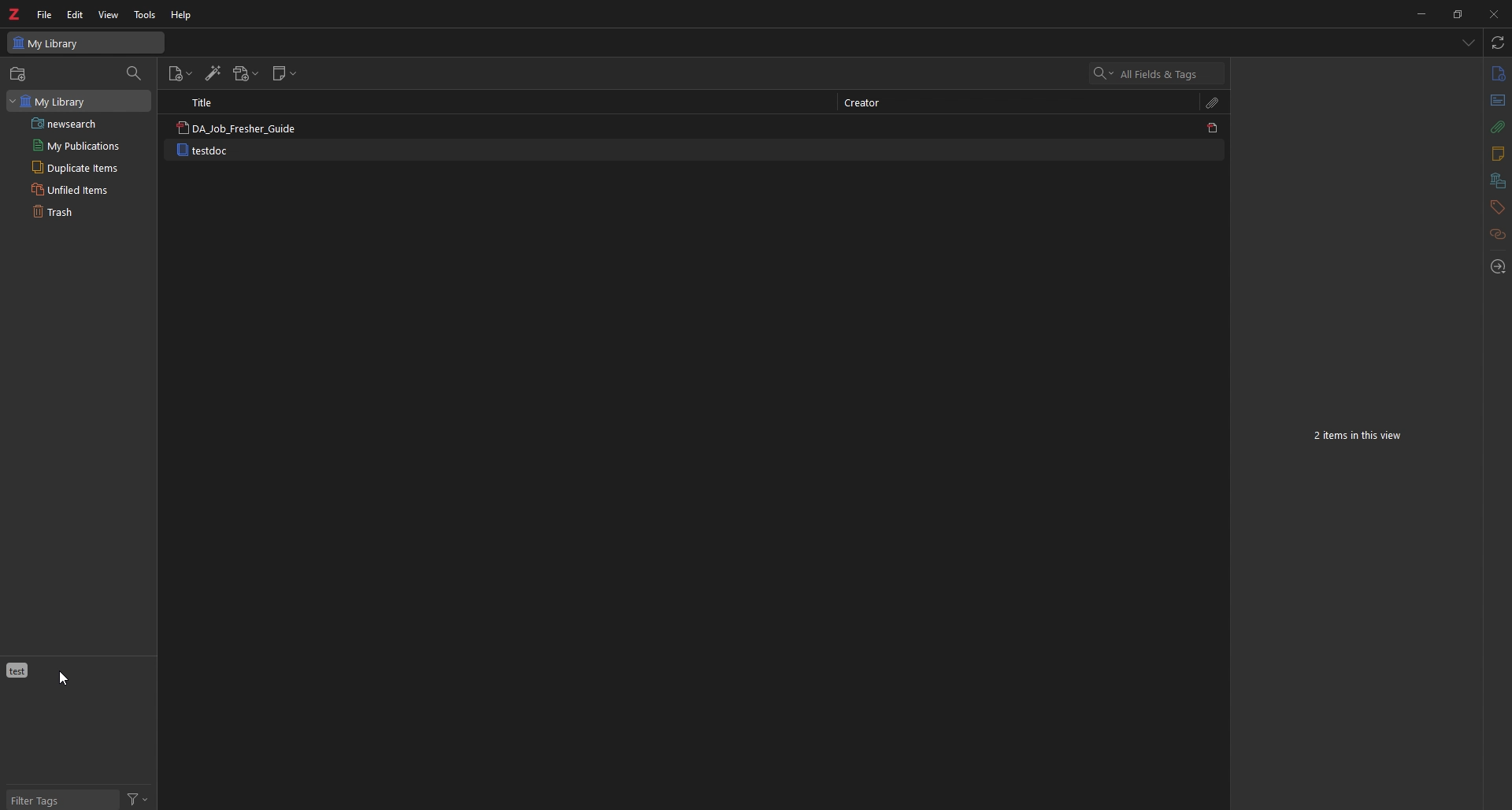 The height and width of the screenshot is (810, 1512). Describe the element at coordinates (182, 73) in the screenshot. I see `new item` at that location.